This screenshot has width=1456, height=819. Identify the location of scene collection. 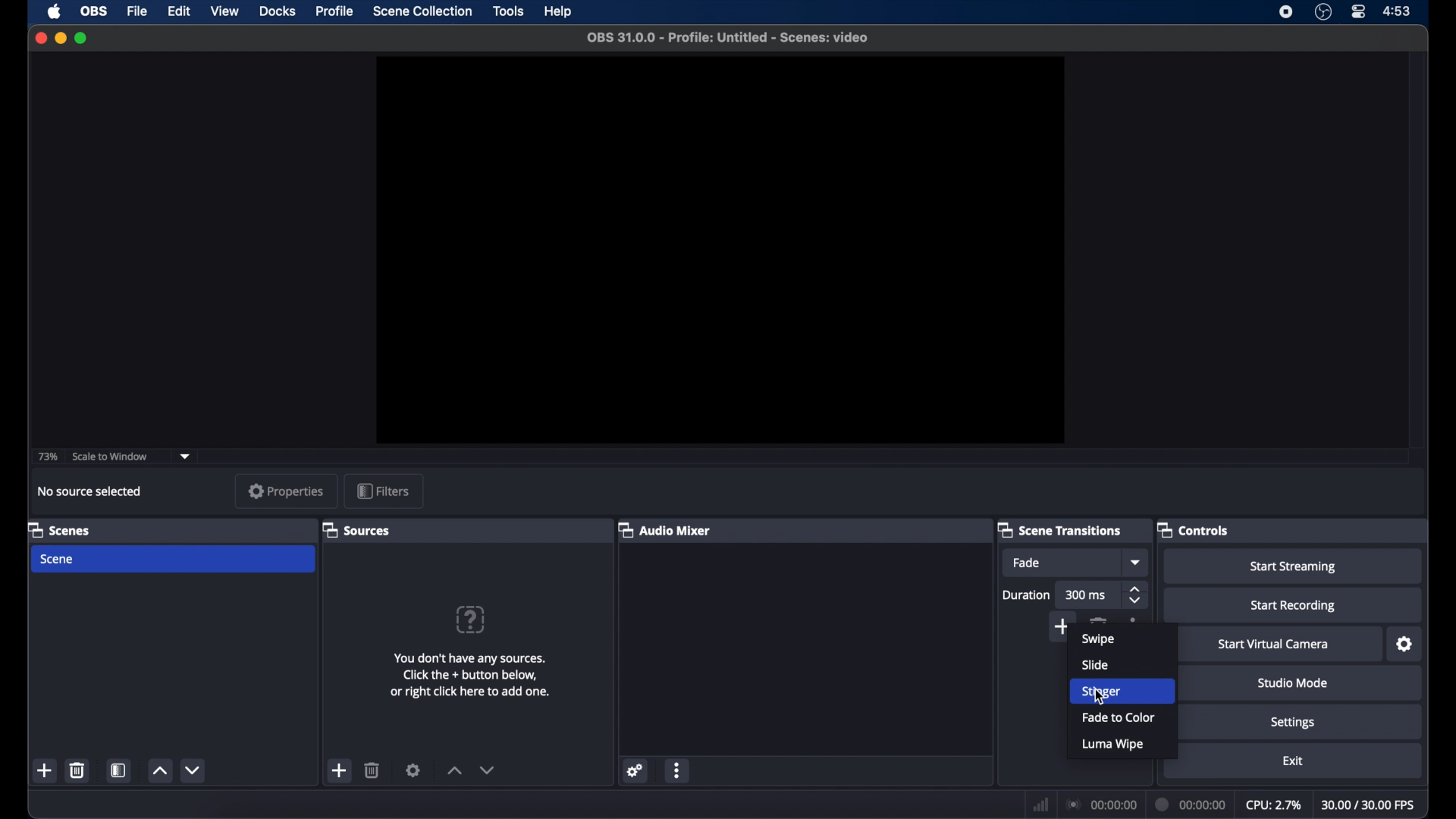
(424, 11).